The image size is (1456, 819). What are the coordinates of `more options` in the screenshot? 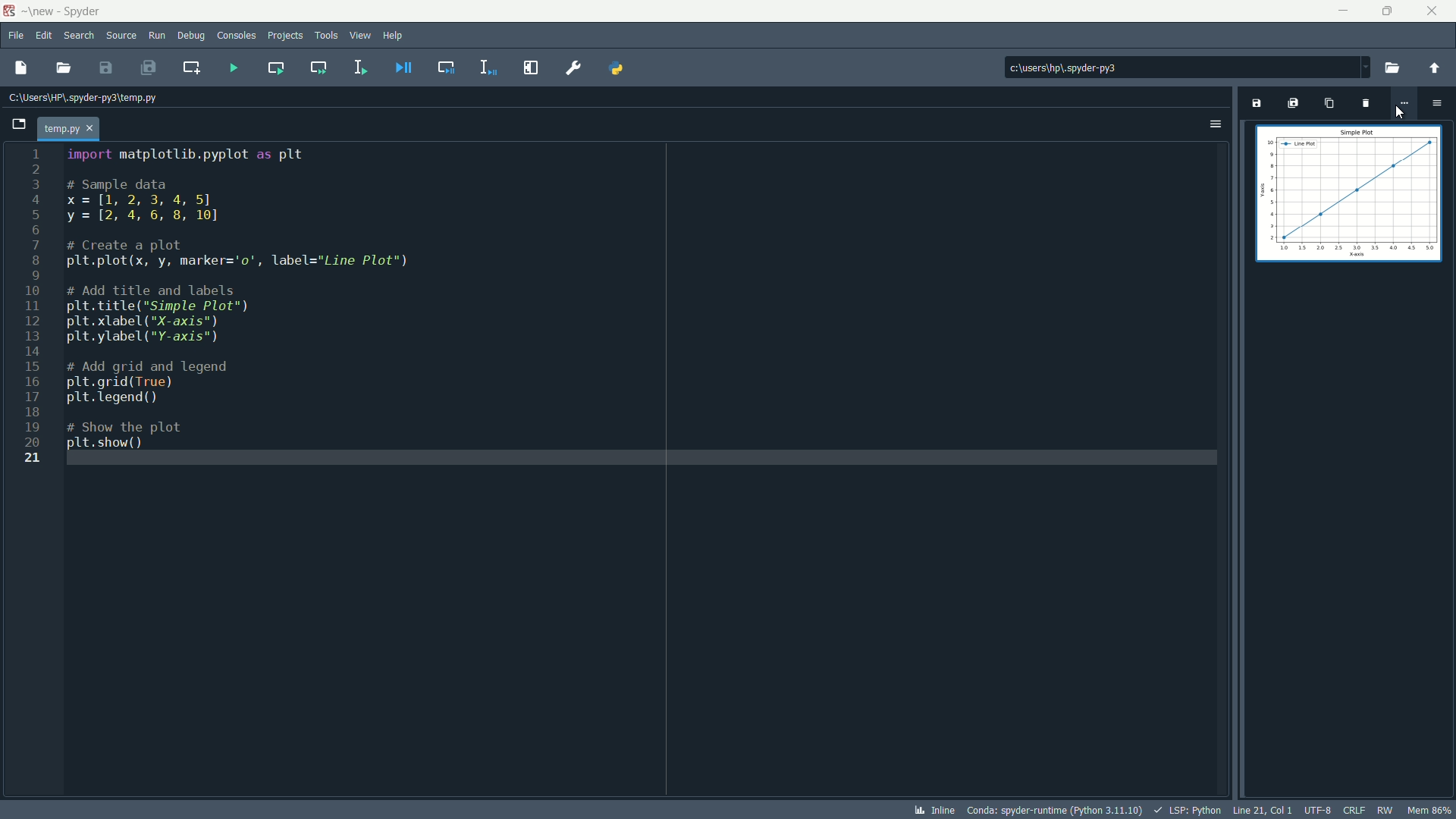 It's located at (1404, 102).